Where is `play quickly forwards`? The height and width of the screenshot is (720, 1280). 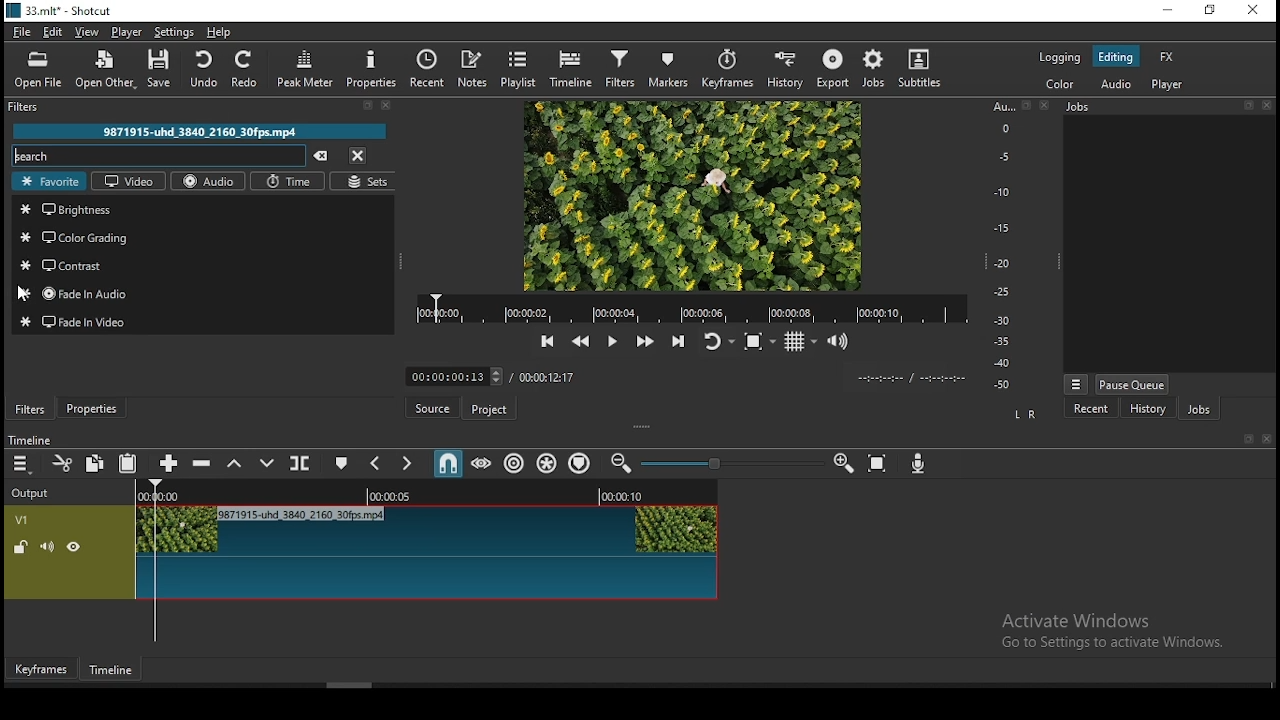
play quickly forwards is located at coordinates (646, 340).